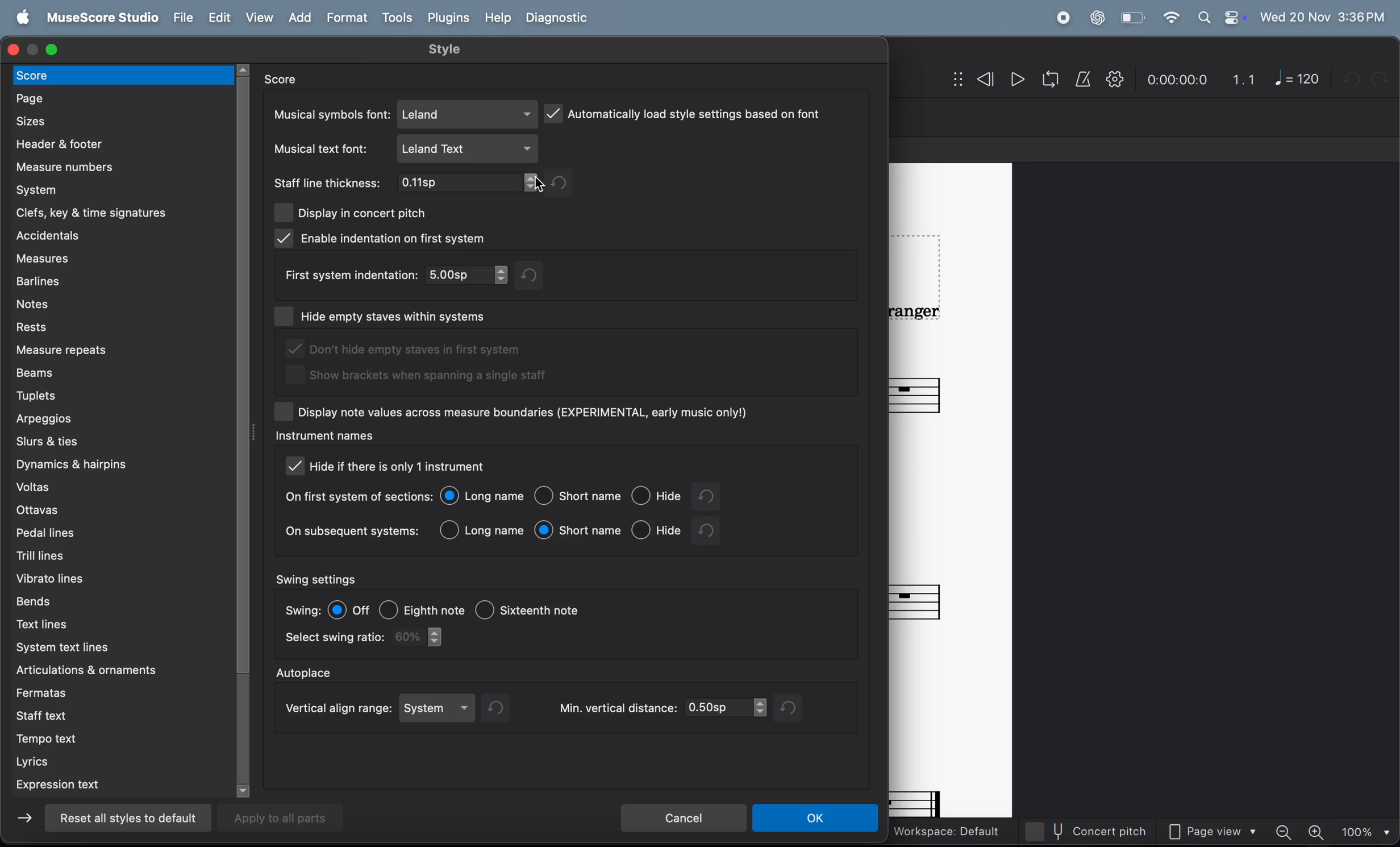 Image resolution: width=1400 pixels, height=847 pixels. Describe the element at coordinates (537, 190) in the screenshot. I see `cursor` at that location.